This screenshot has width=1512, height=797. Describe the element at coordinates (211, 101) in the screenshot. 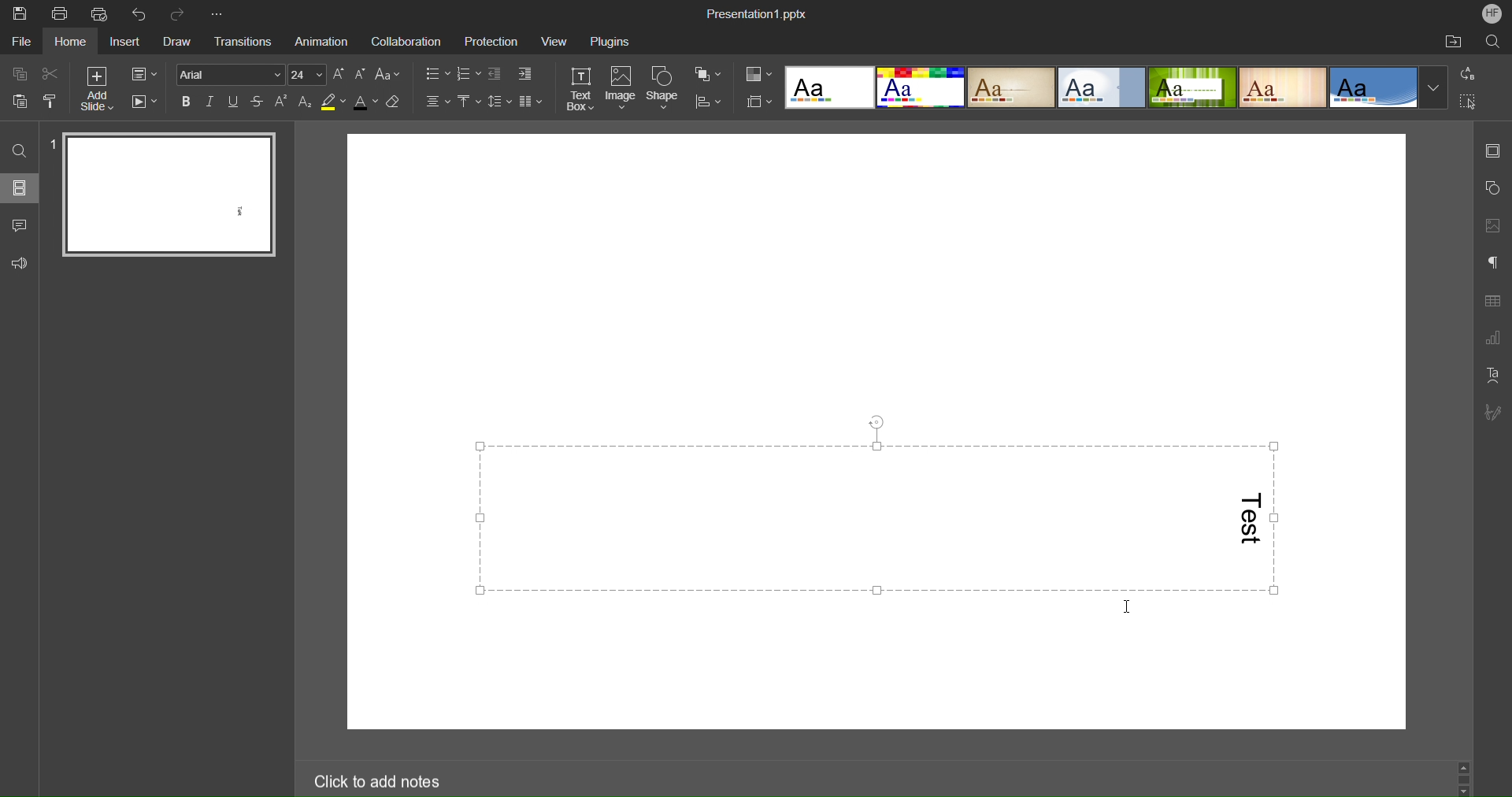

I see `Italic` at that location.